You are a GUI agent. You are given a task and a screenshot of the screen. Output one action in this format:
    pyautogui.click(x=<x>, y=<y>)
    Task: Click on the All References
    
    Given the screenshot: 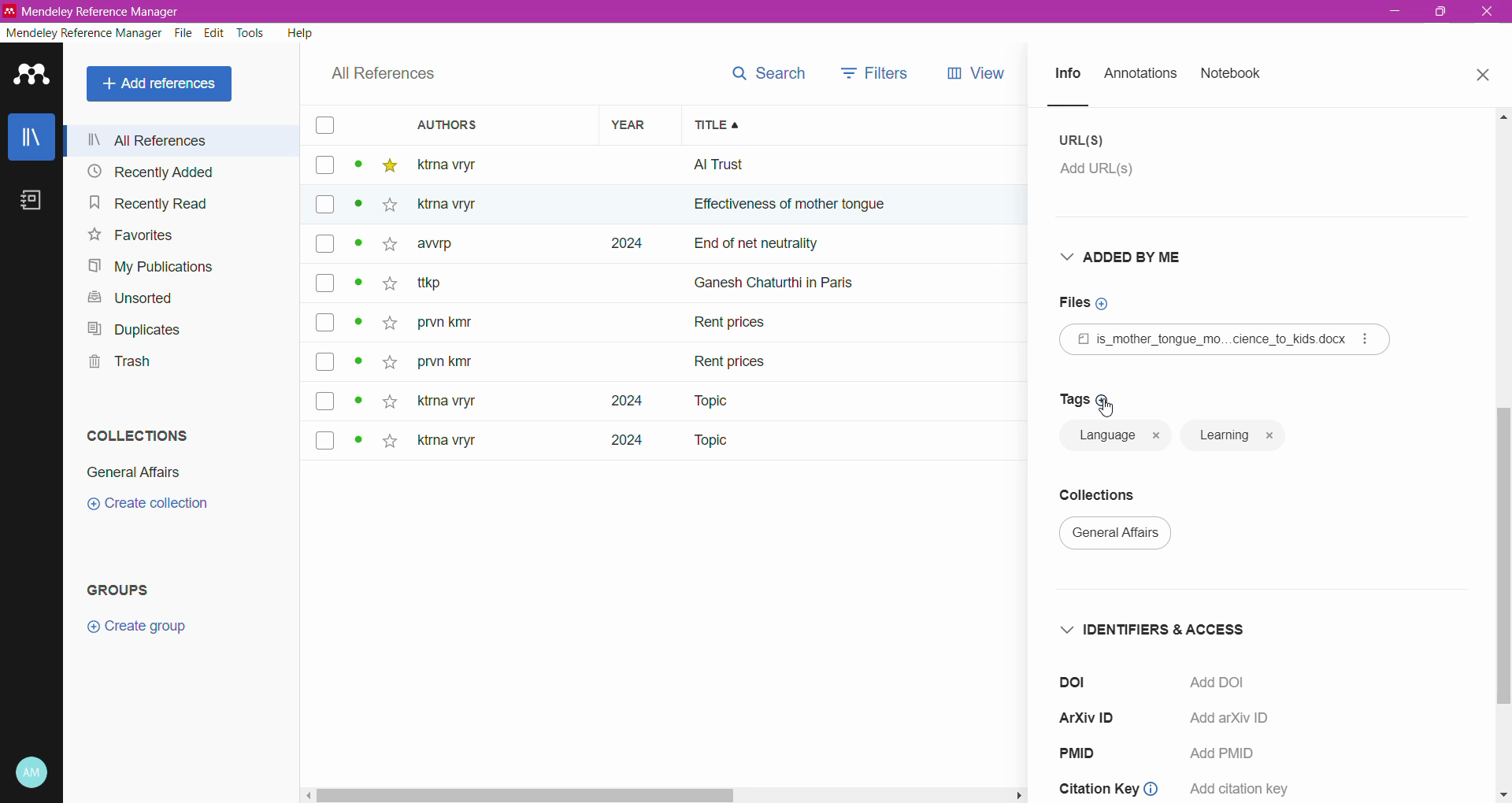 What is the action you would take?
    pyautogui.click(x=384, y=74)
    